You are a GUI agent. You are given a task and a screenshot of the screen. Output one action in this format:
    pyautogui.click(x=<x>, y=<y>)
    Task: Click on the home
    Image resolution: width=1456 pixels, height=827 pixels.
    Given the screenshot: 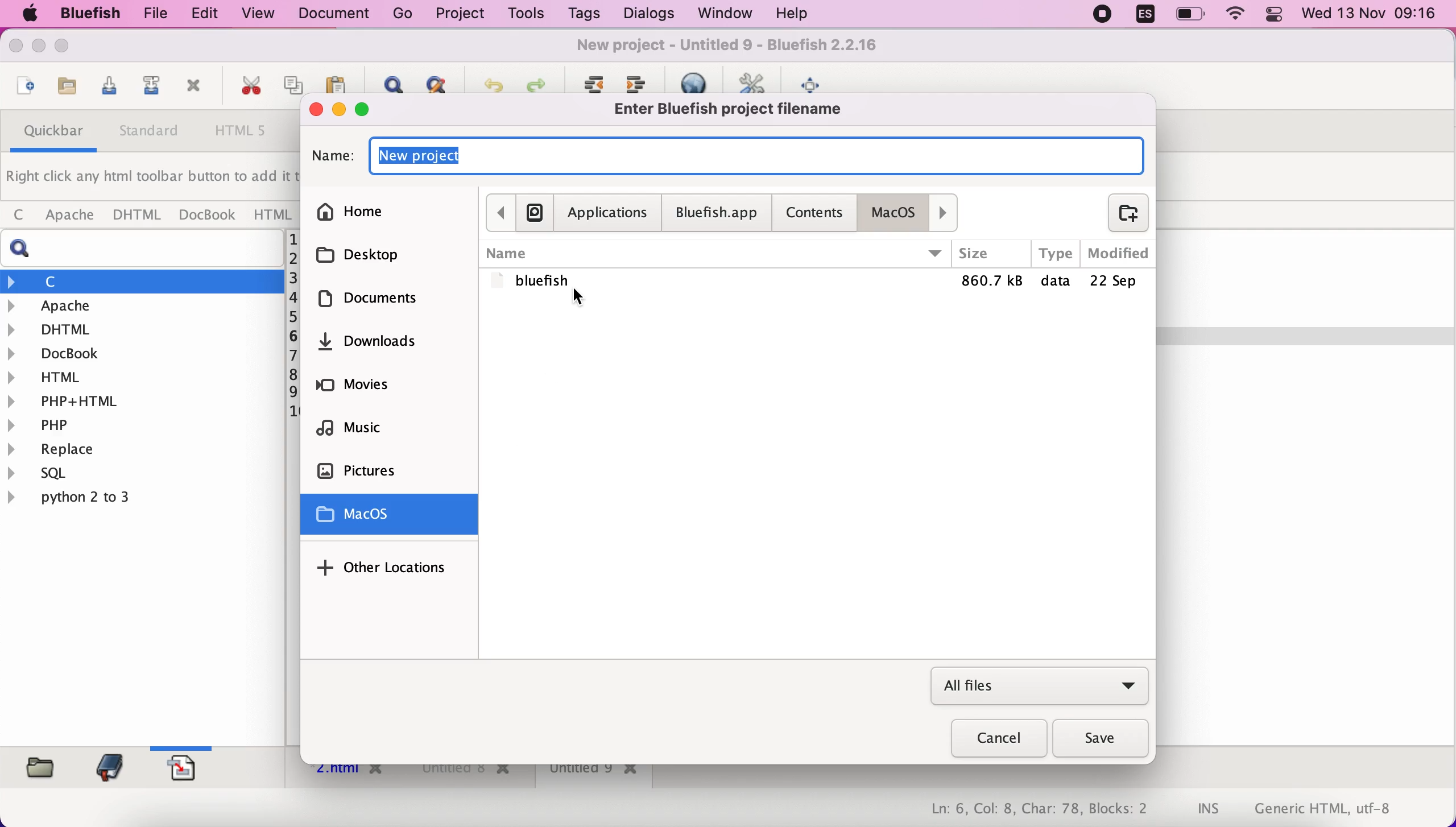 What is the action you would take?
    pyautogui.click(x=390, y=209)
    